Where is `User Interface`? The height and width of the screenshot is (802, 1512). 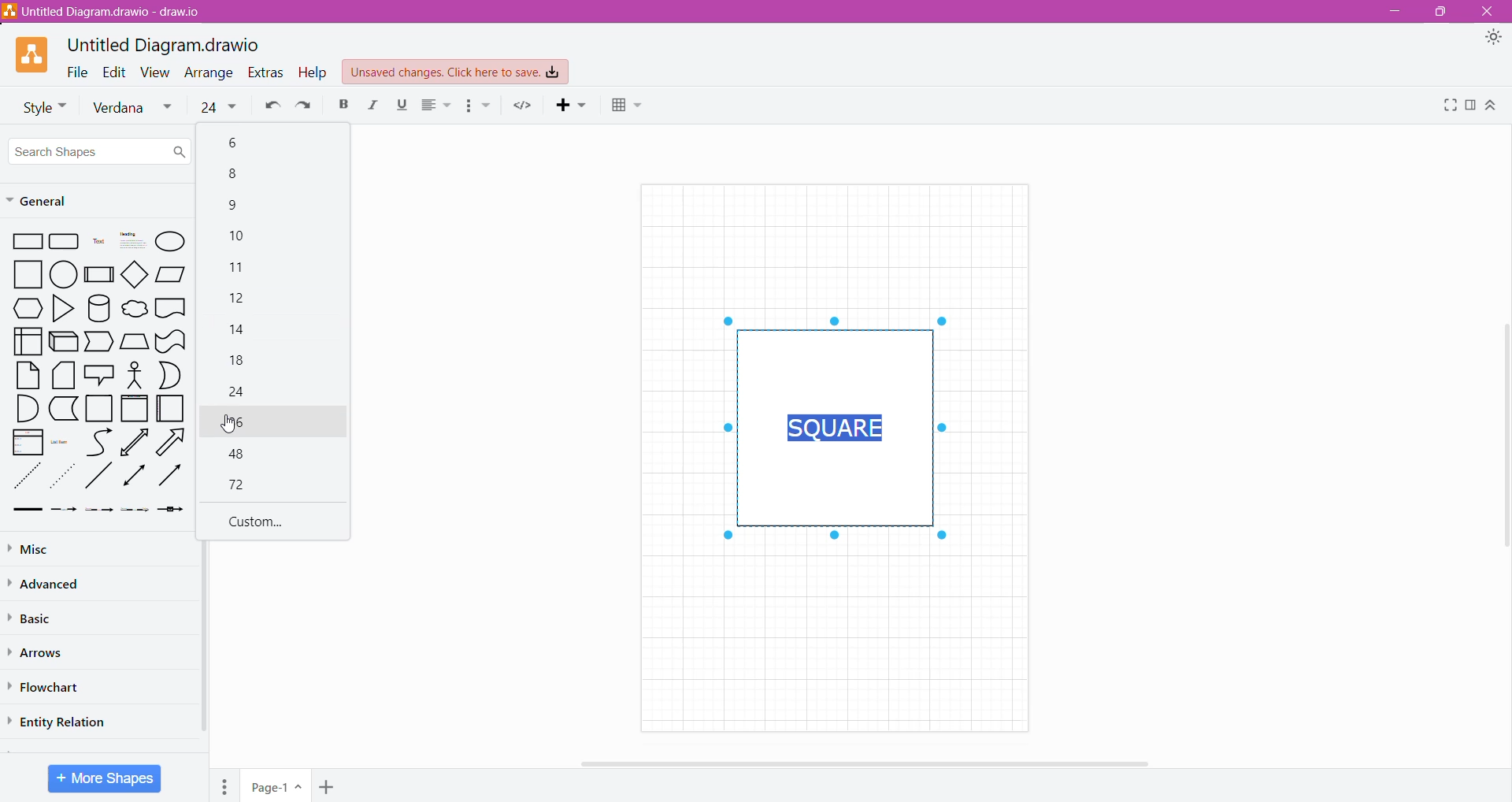
User Interface is located at coordinates (27, 340).